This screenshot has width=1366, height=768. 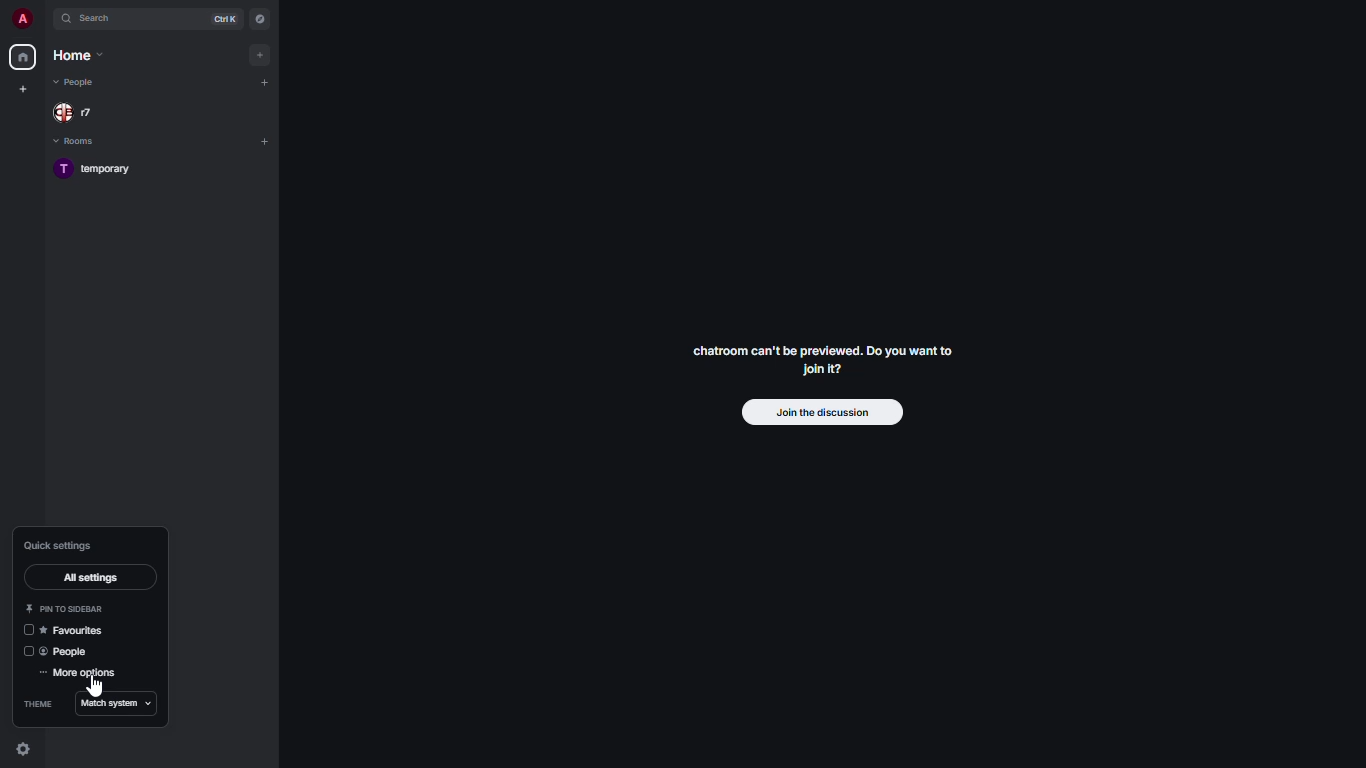 What do you see at coordinates (77, 54) in the screenshot?
I see `home` at bounding box center [77, 54].